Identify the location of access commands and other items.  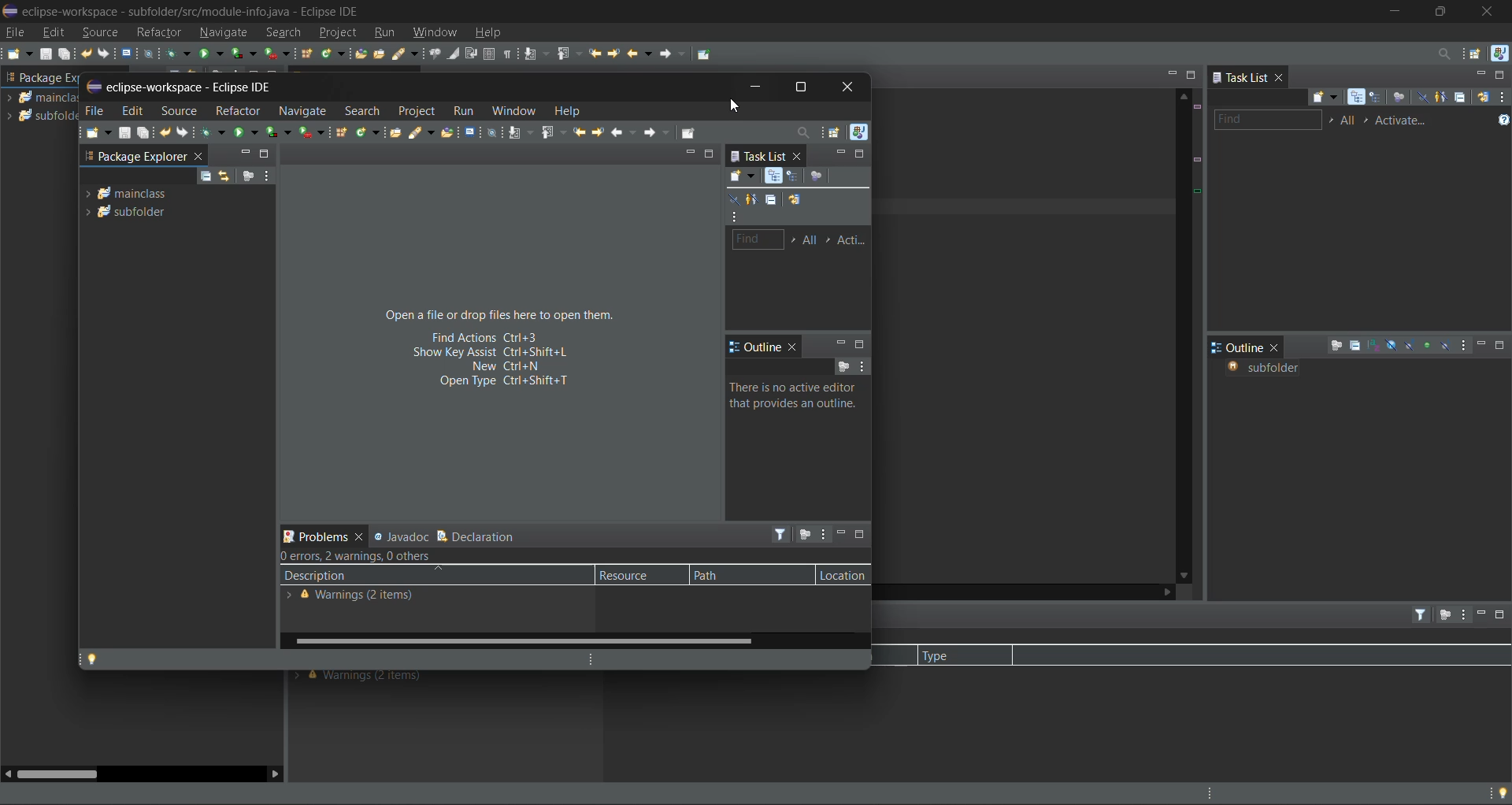
(1447, 54).